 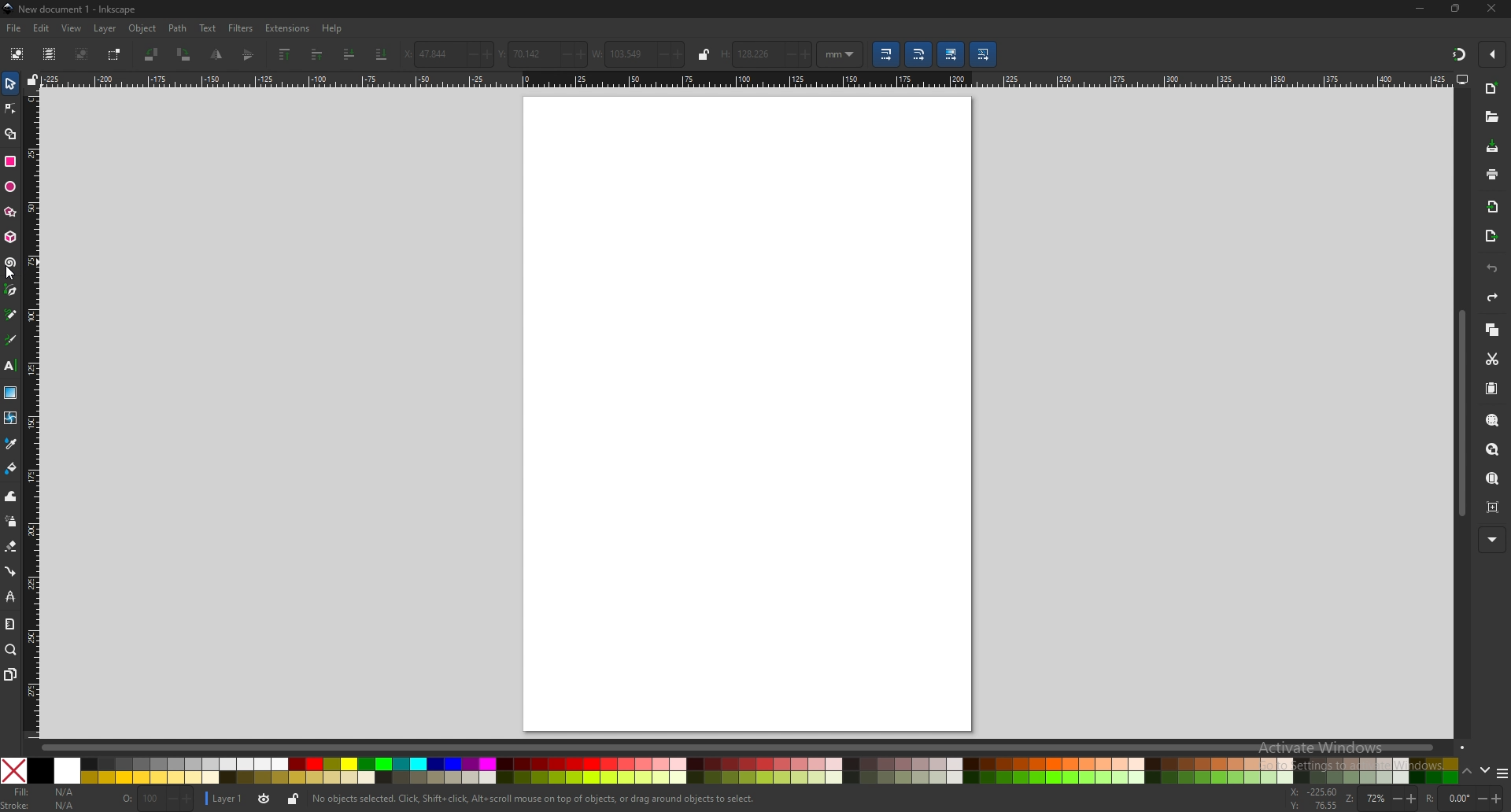 What do you see at coordinates (10, 109) in the screenshot?
I see `node` at bounding box center [10, 109].